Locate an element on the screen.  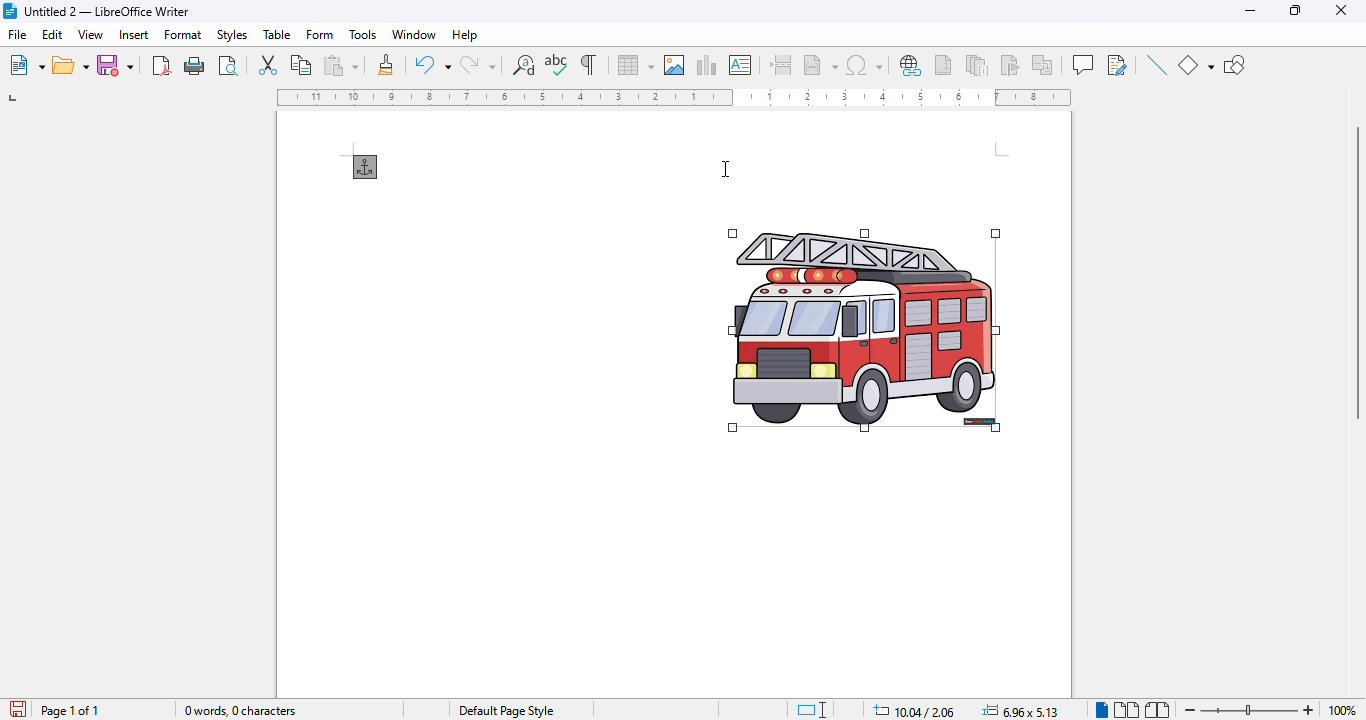
insert comment is located at coordinates (1083, 64).